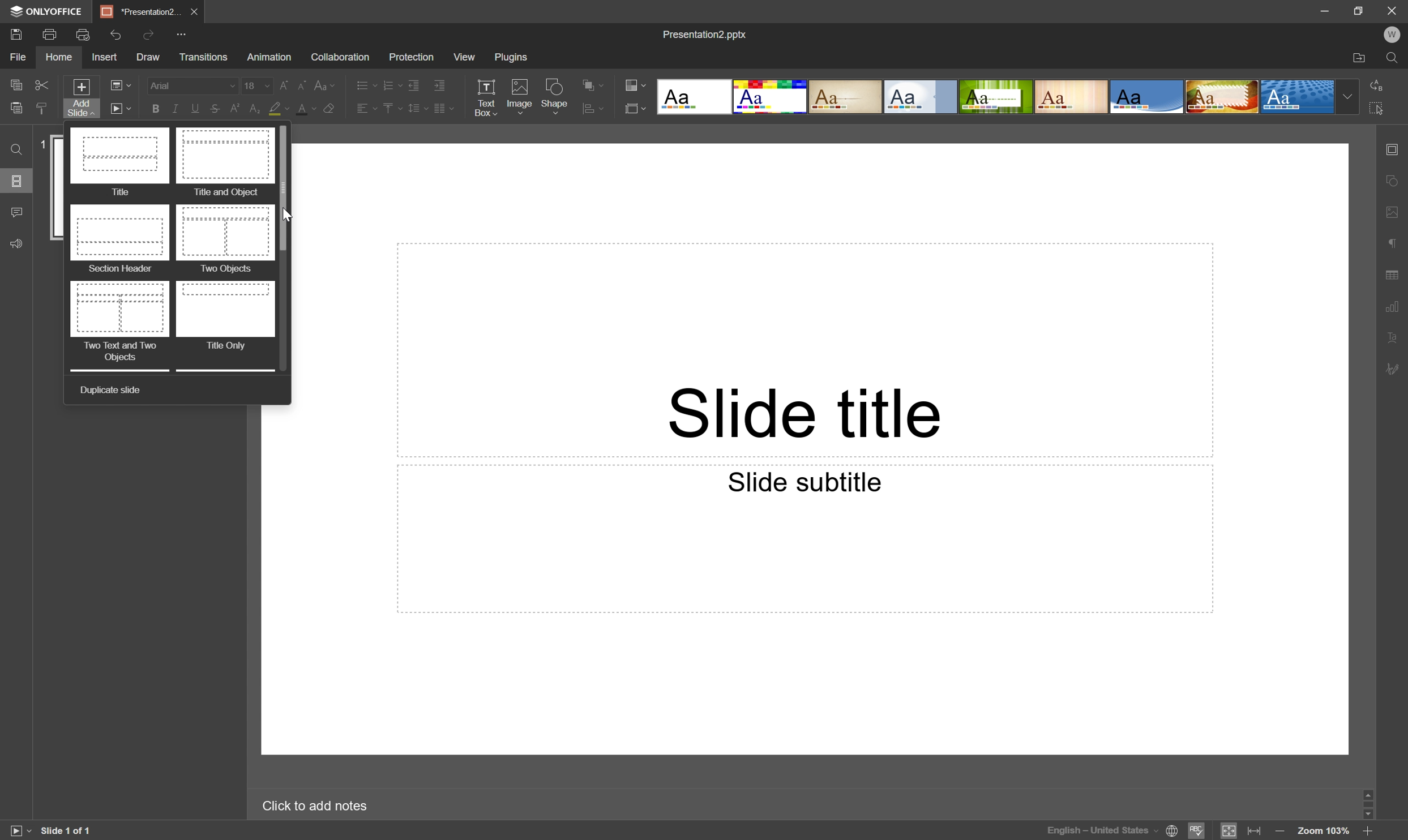 This screenshot has height=840, width=1408. I want to click on Increase indent, so click(441, 84).